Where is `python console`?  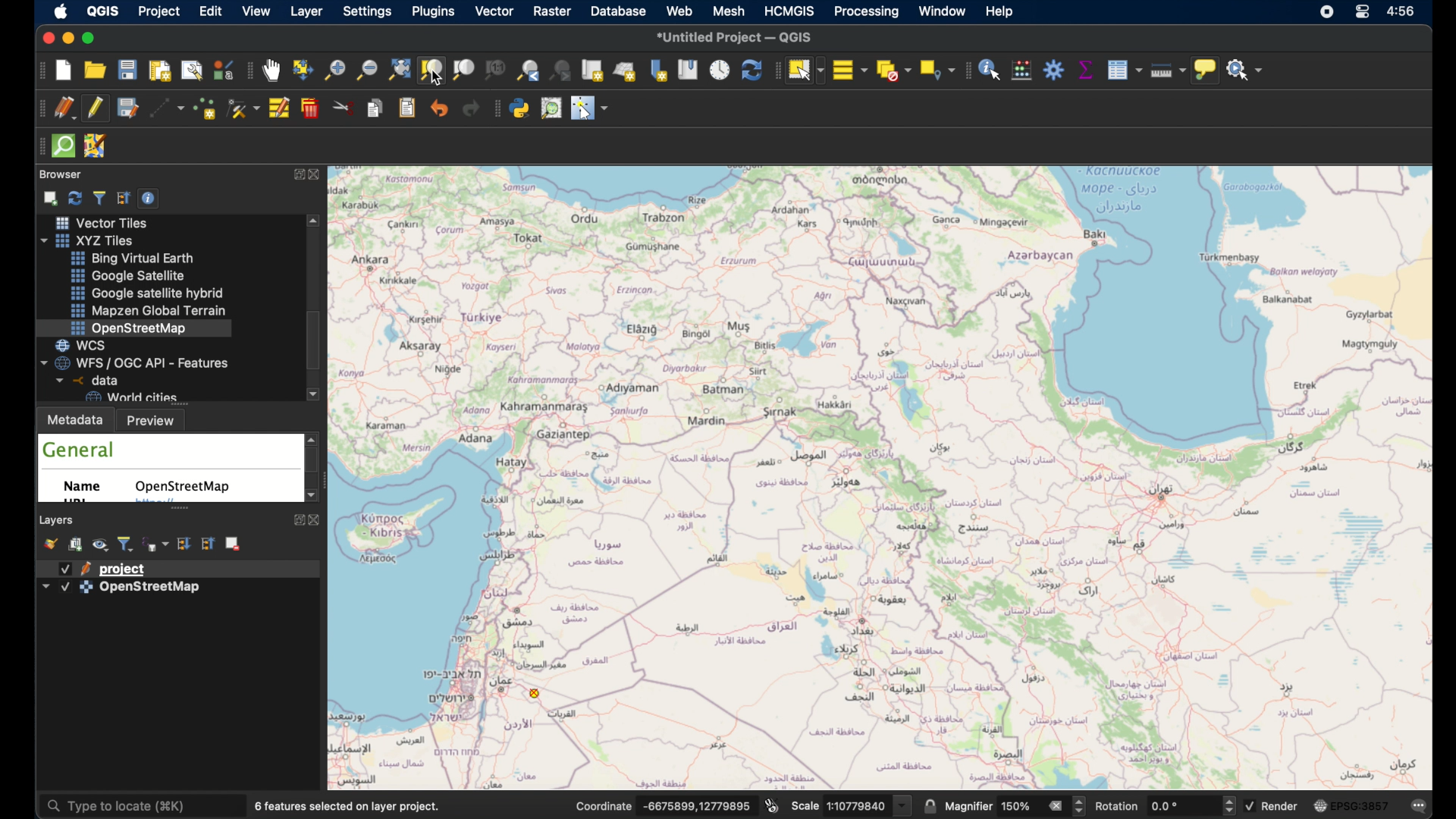
python console is located at coordinates (521, 108).